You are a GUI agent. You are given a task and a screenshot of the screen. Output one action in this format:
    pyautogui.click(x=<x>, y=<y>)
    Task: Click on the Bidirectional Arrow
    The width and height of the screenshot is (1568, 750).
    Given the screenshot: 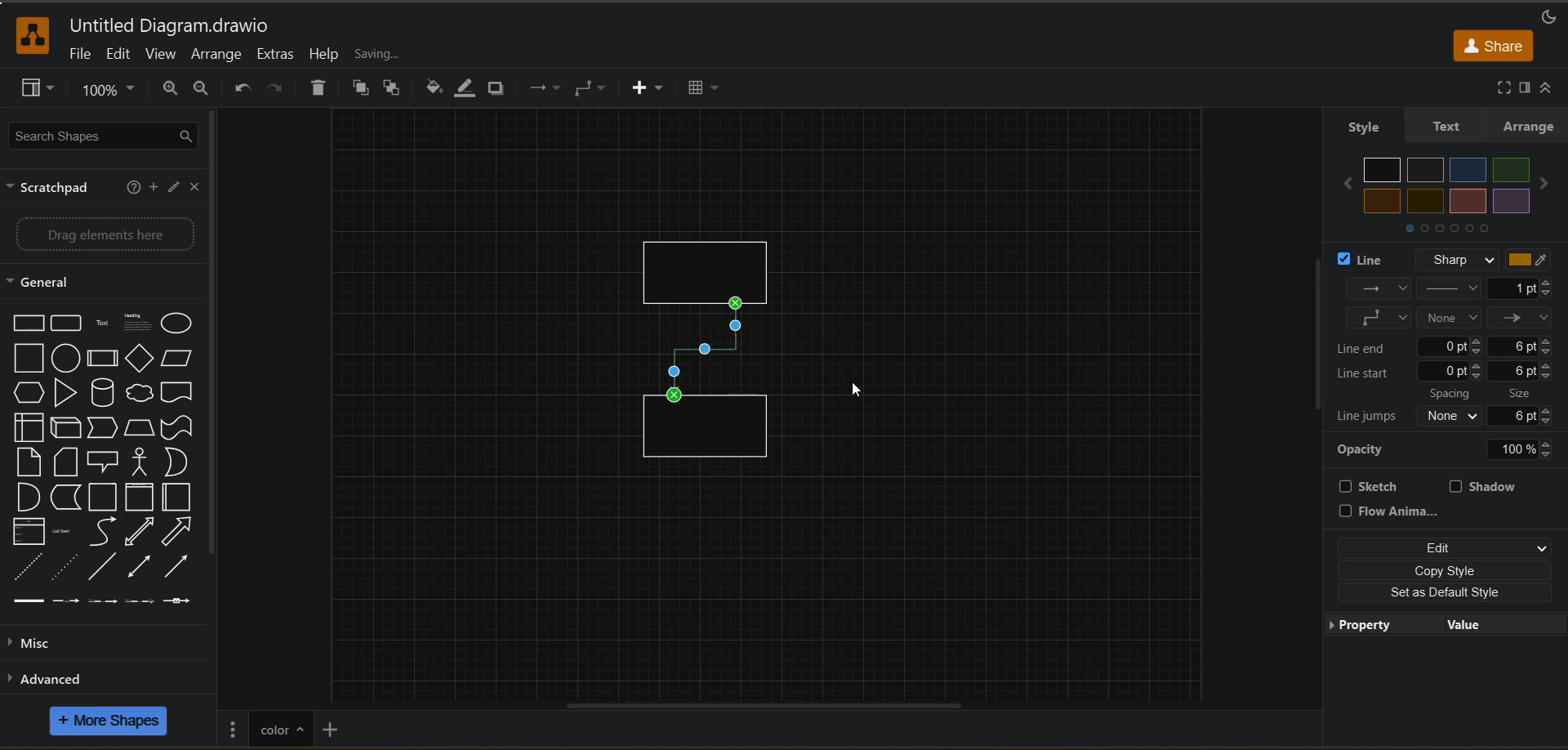 What is the action you would take?
    pyautogui.click(x=140, y=532)
    